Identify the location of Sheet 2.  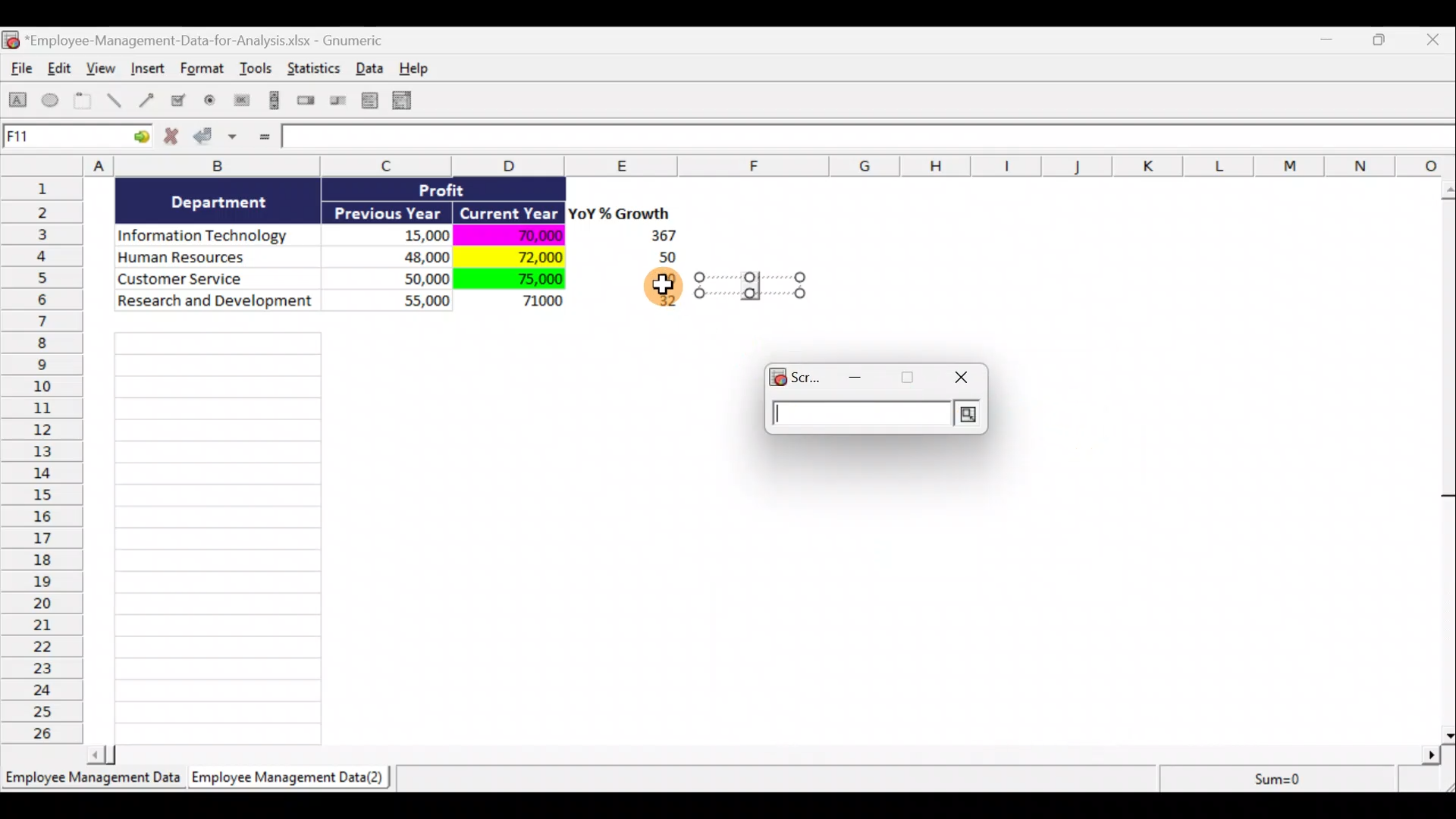
(292, 781).